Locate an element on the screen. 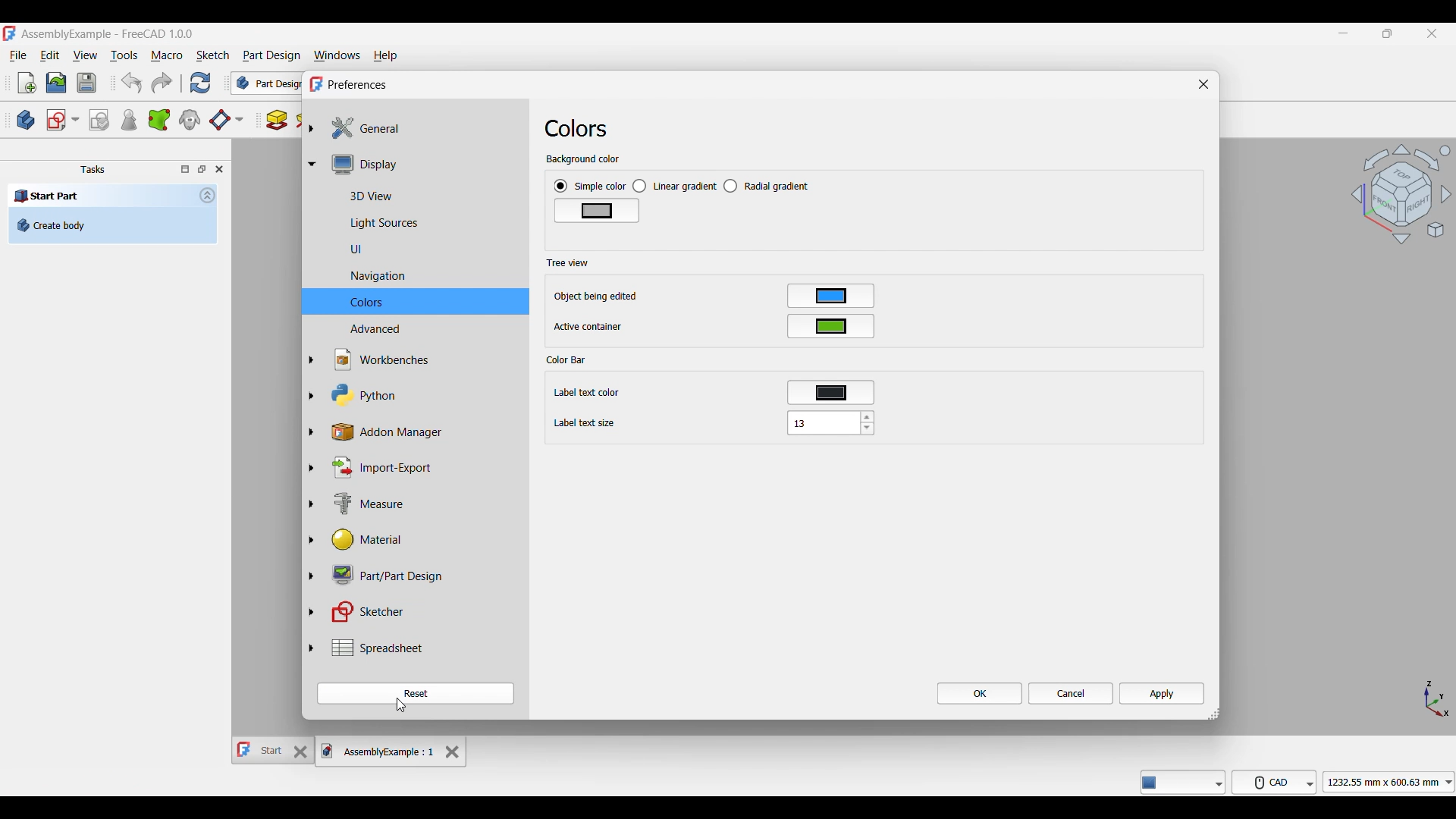  Validate sketch is located at coordinates (99, 121).